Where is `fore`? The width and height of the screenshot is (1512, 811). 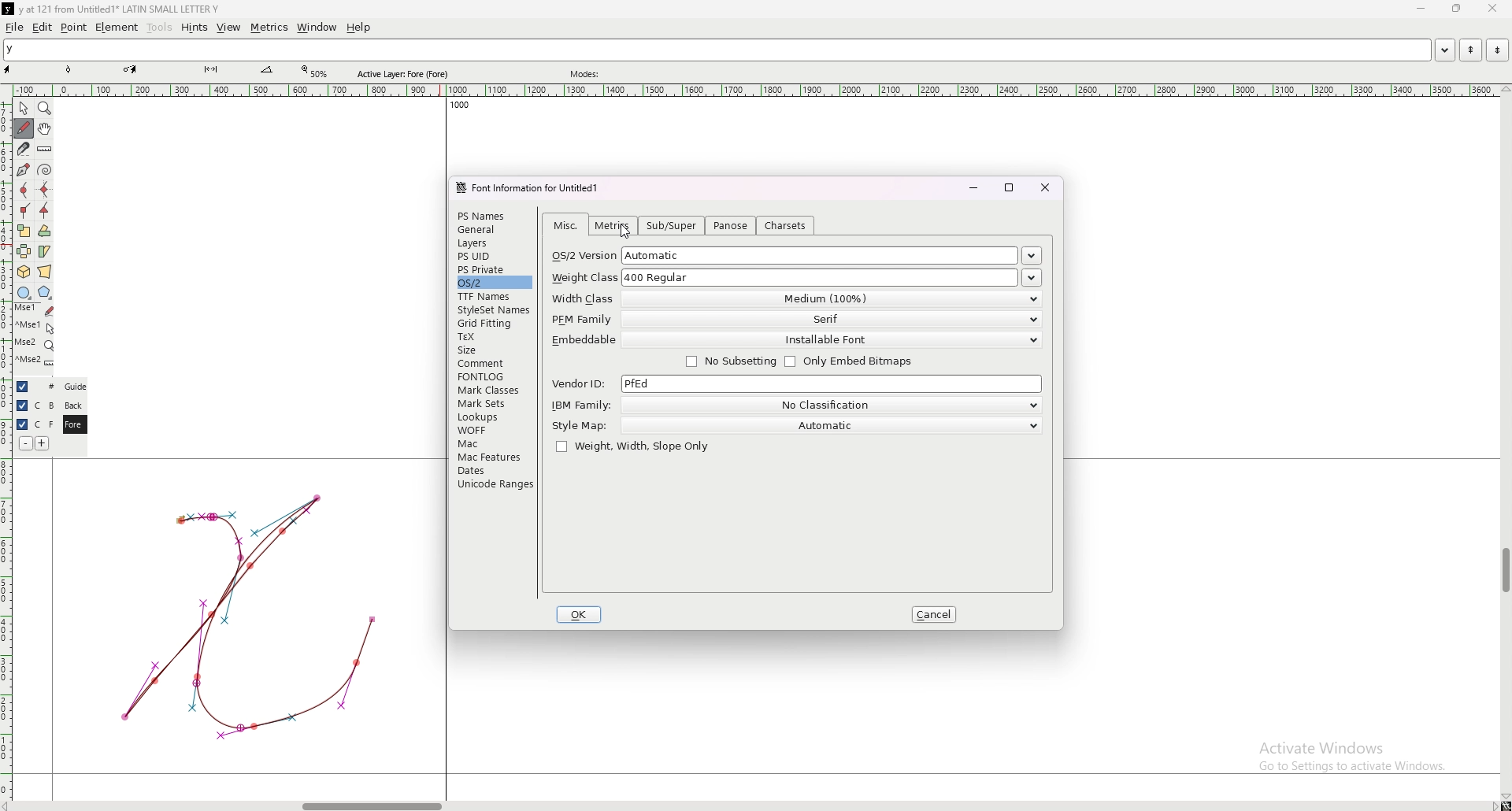 fore is located at coordinates (73, 425).